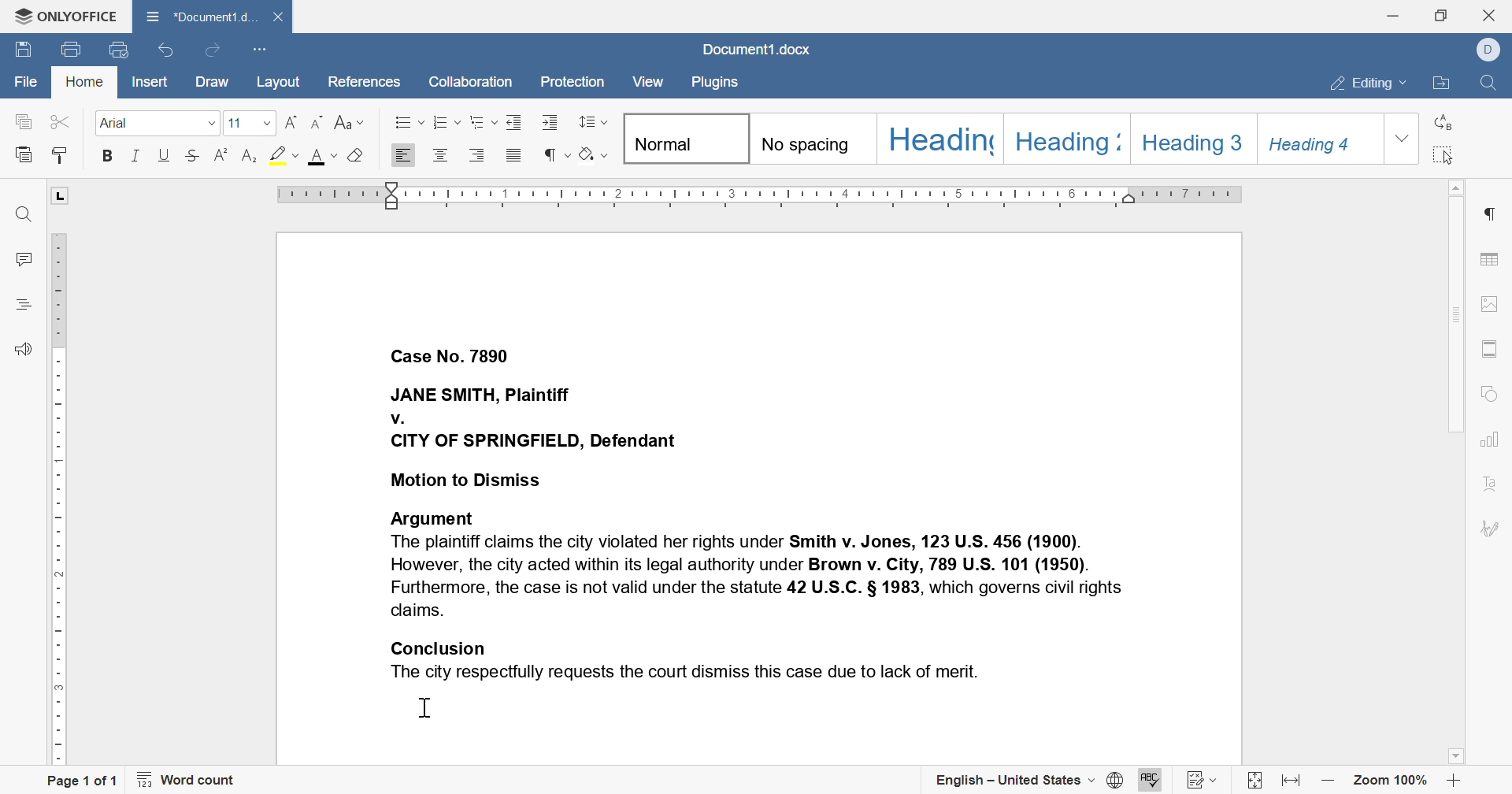 Image resolution: width=1512 pixels, height=794 pixels. Describe the element at coordinates (291, 124) in the screenshot. I see `increment font size` at that location.